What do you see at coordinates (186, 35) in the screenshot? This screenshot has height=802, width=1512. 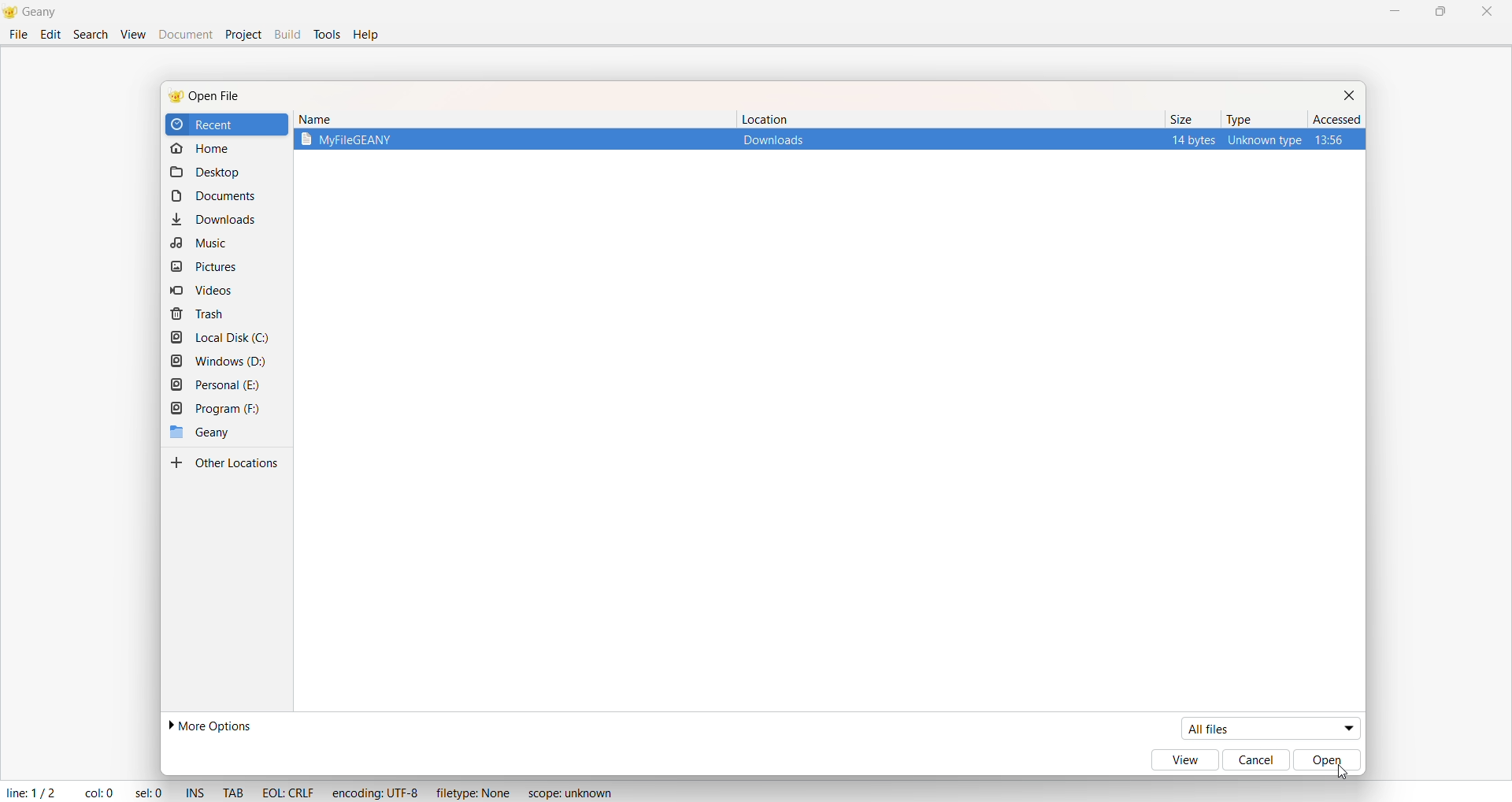 I see `Document` at bounding box center [186, 35].